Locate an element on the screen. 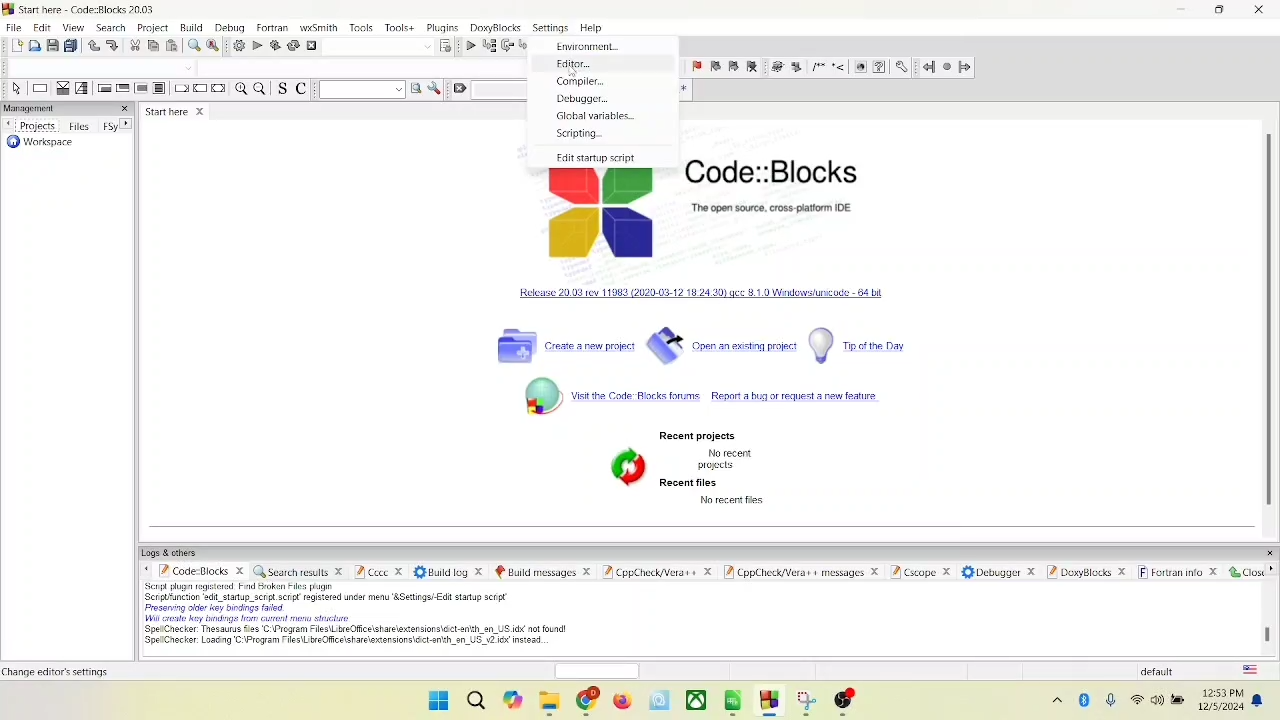 The height and width of the screenshot is (720, 1280). microphone is located at coordinates (1112, 702).